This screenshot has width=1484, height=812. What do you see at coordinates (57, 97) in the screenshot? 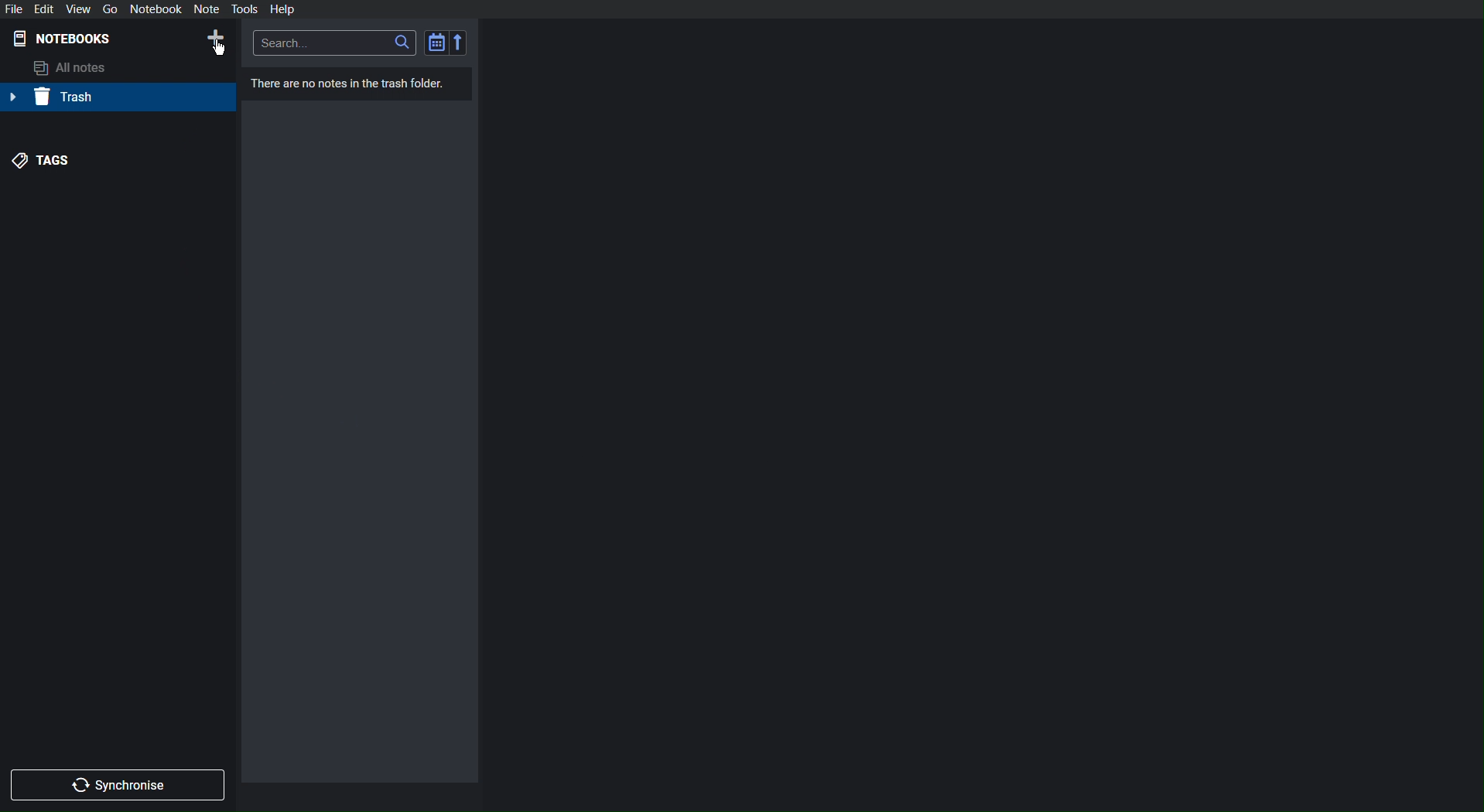
I see `Trash` at bounding box center [57, 97].